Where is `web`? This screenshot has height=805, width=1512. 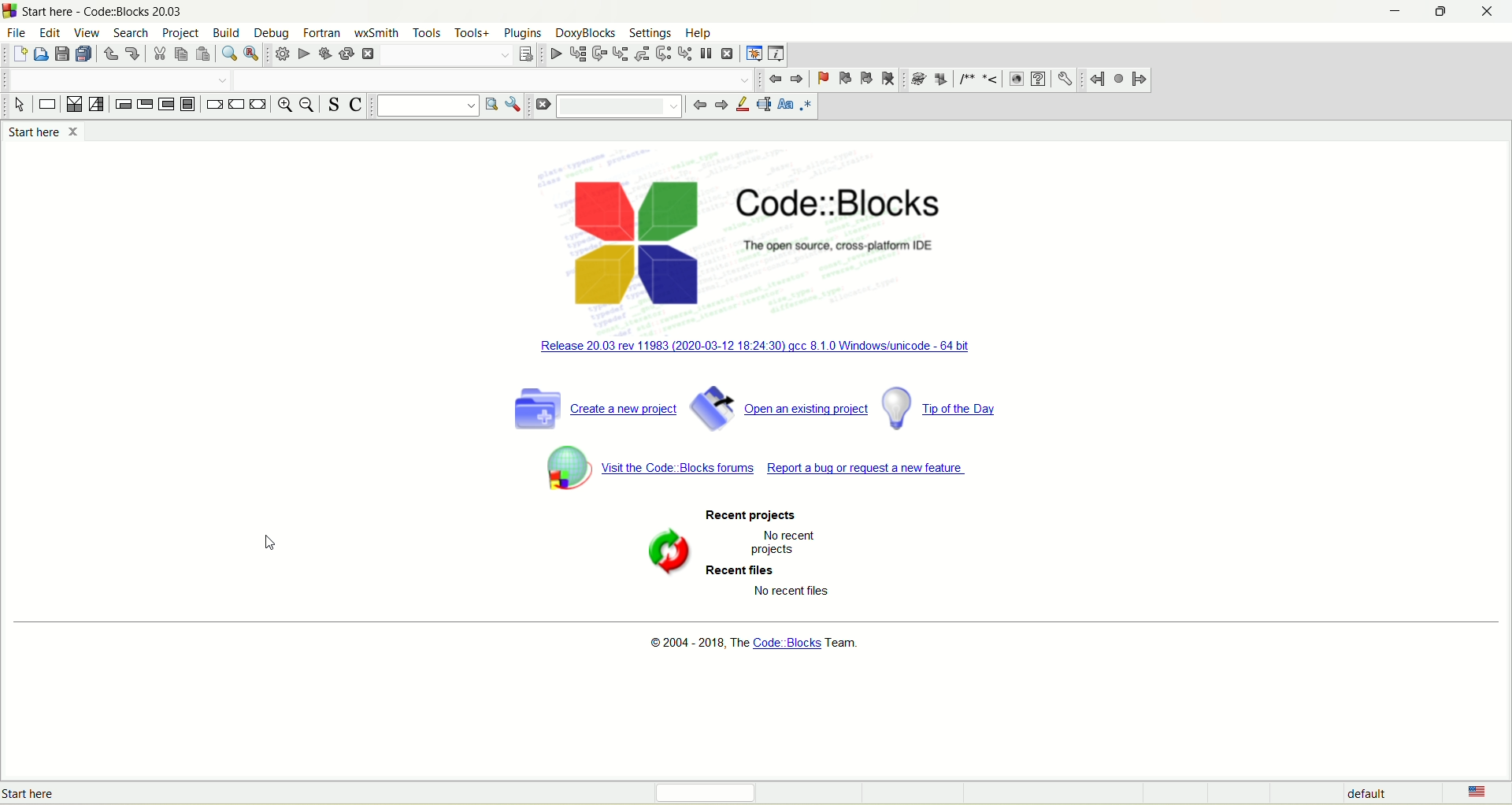 web is located at coordinates (1017, 79).